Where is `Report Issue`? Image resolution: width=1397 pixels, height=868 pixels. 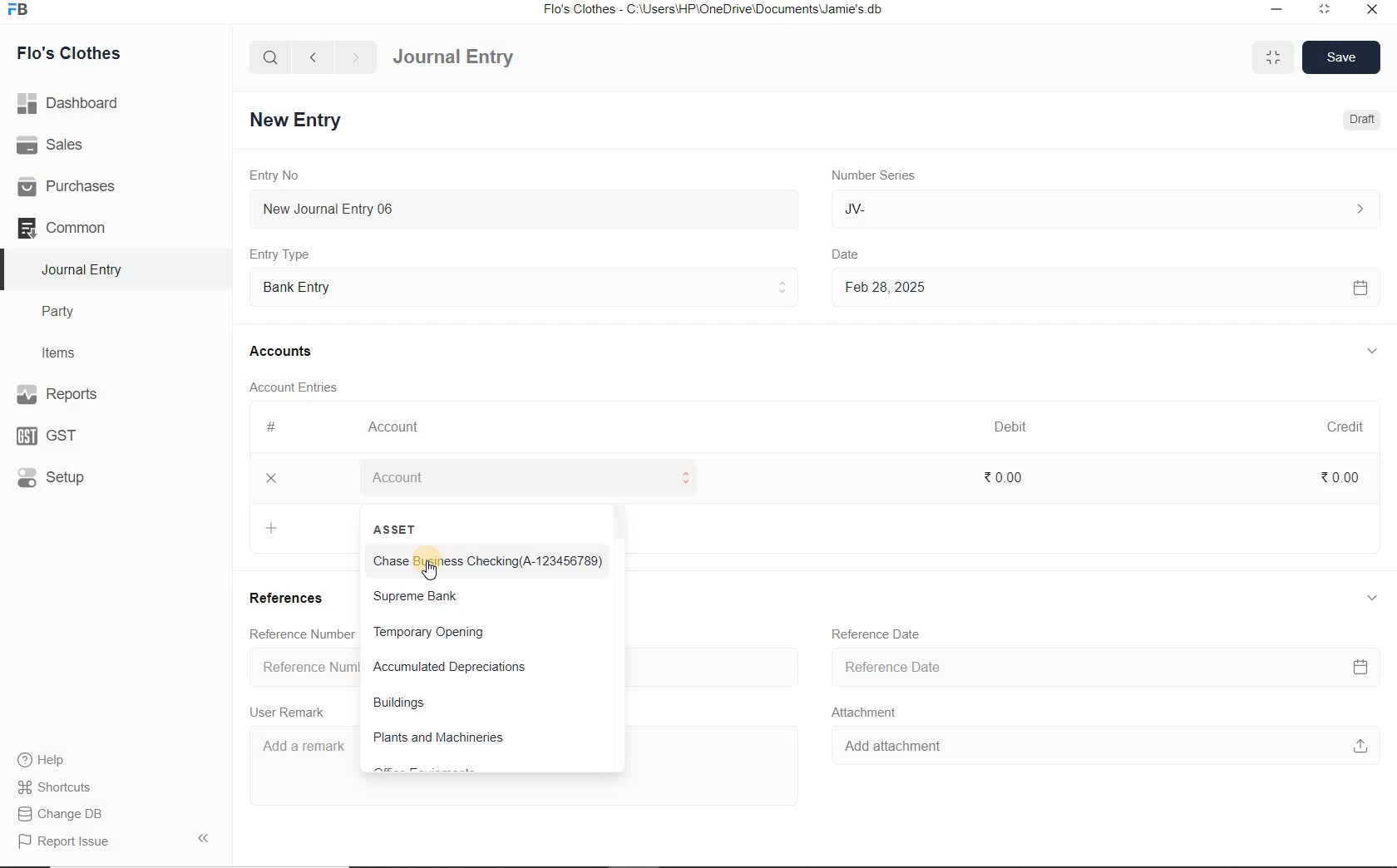 Report Issue is located at coordinates (63, 841).